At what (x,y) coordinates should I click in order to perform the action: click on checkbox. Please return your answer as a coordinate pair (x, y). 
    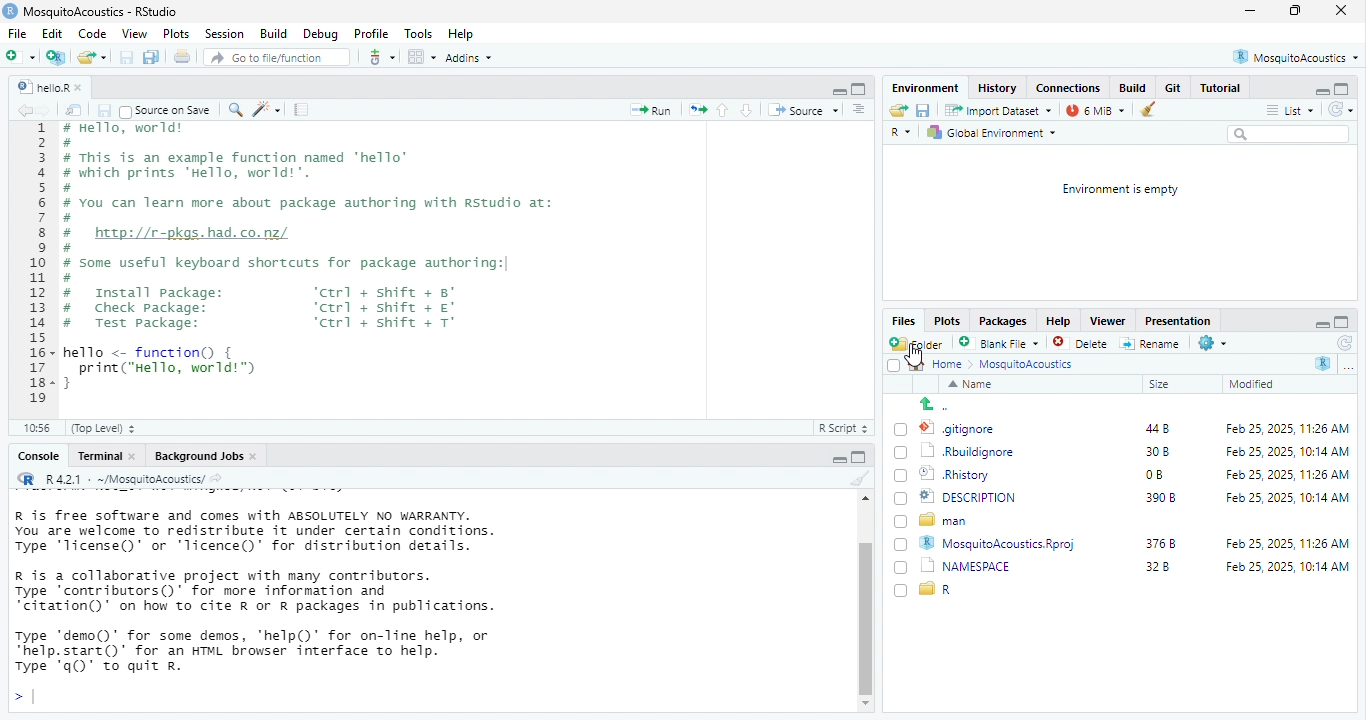
    Looking at the image, I should click on (890, 365).